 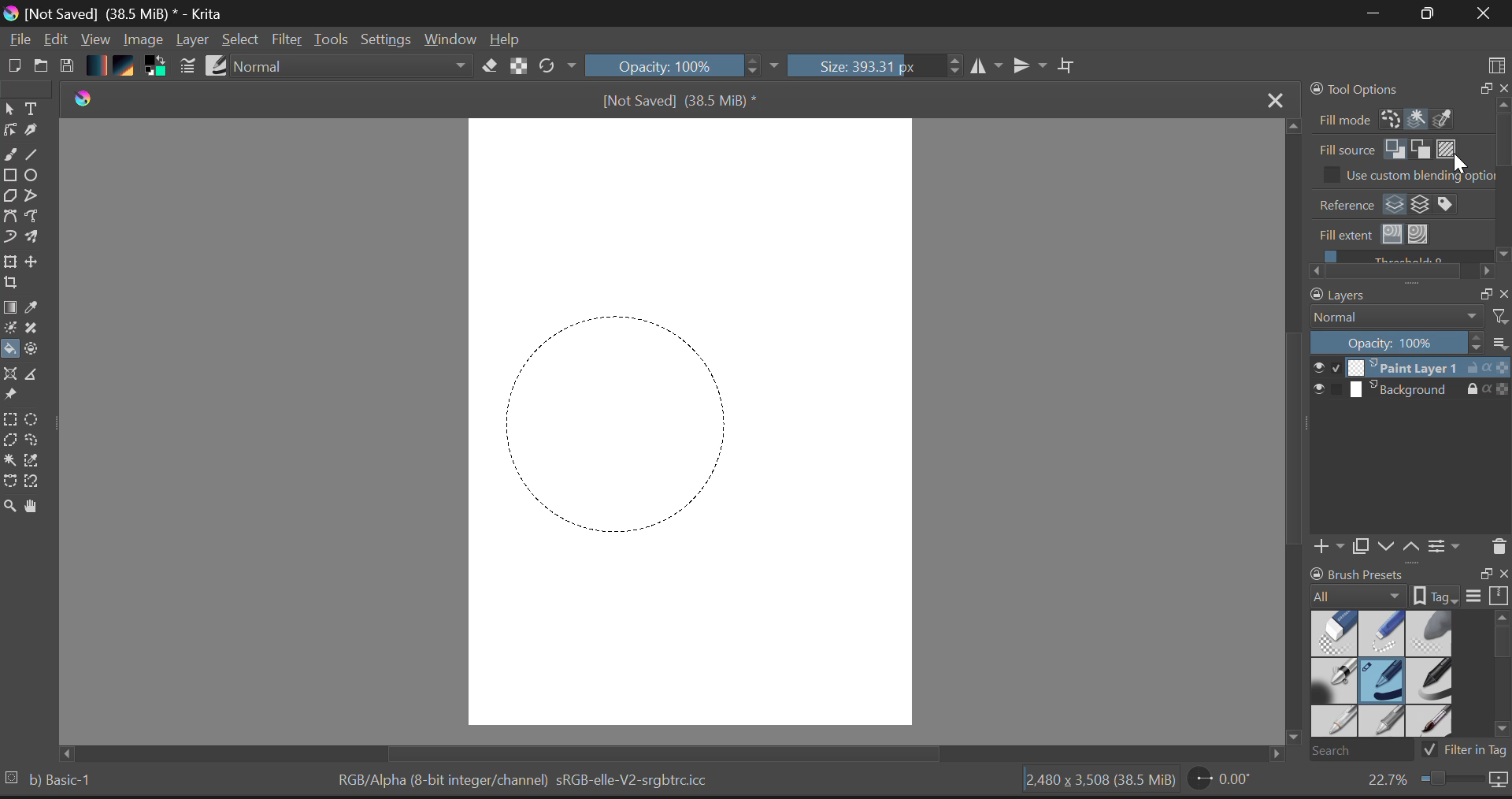 I want to click on Edit, so click(x=57, y=40).